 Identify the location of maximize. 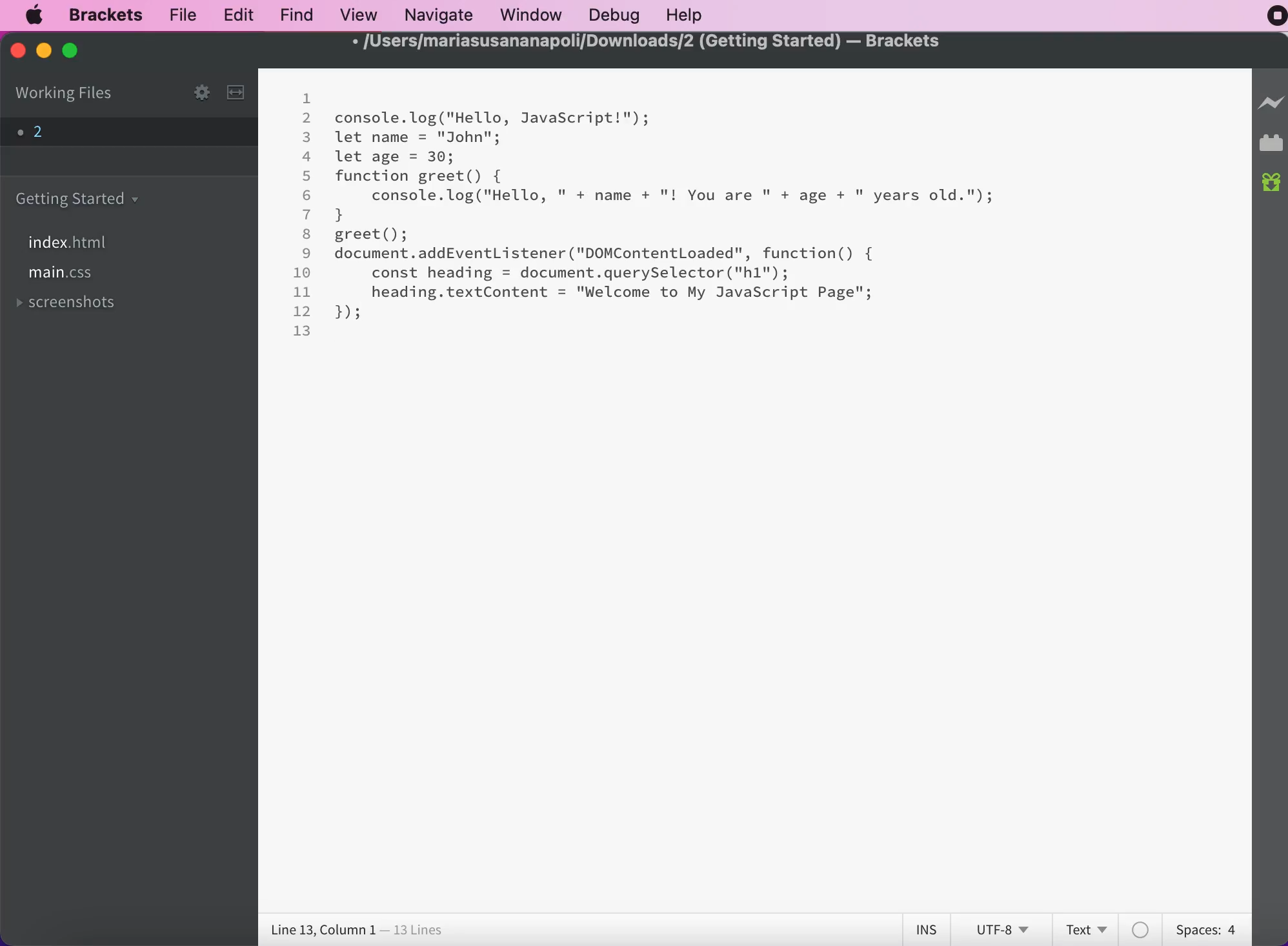
(75, 53).